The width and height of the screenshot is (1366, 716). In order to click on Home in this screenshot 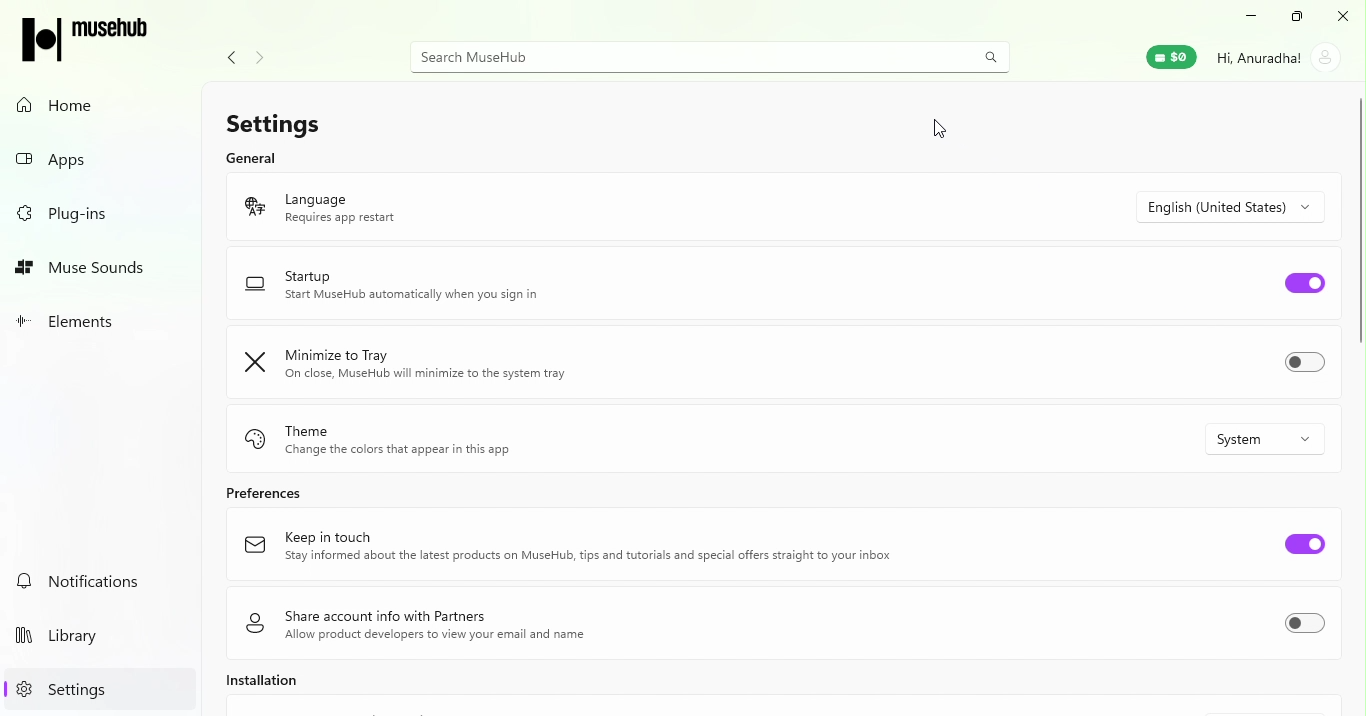, I will do `click(60, 106)`.